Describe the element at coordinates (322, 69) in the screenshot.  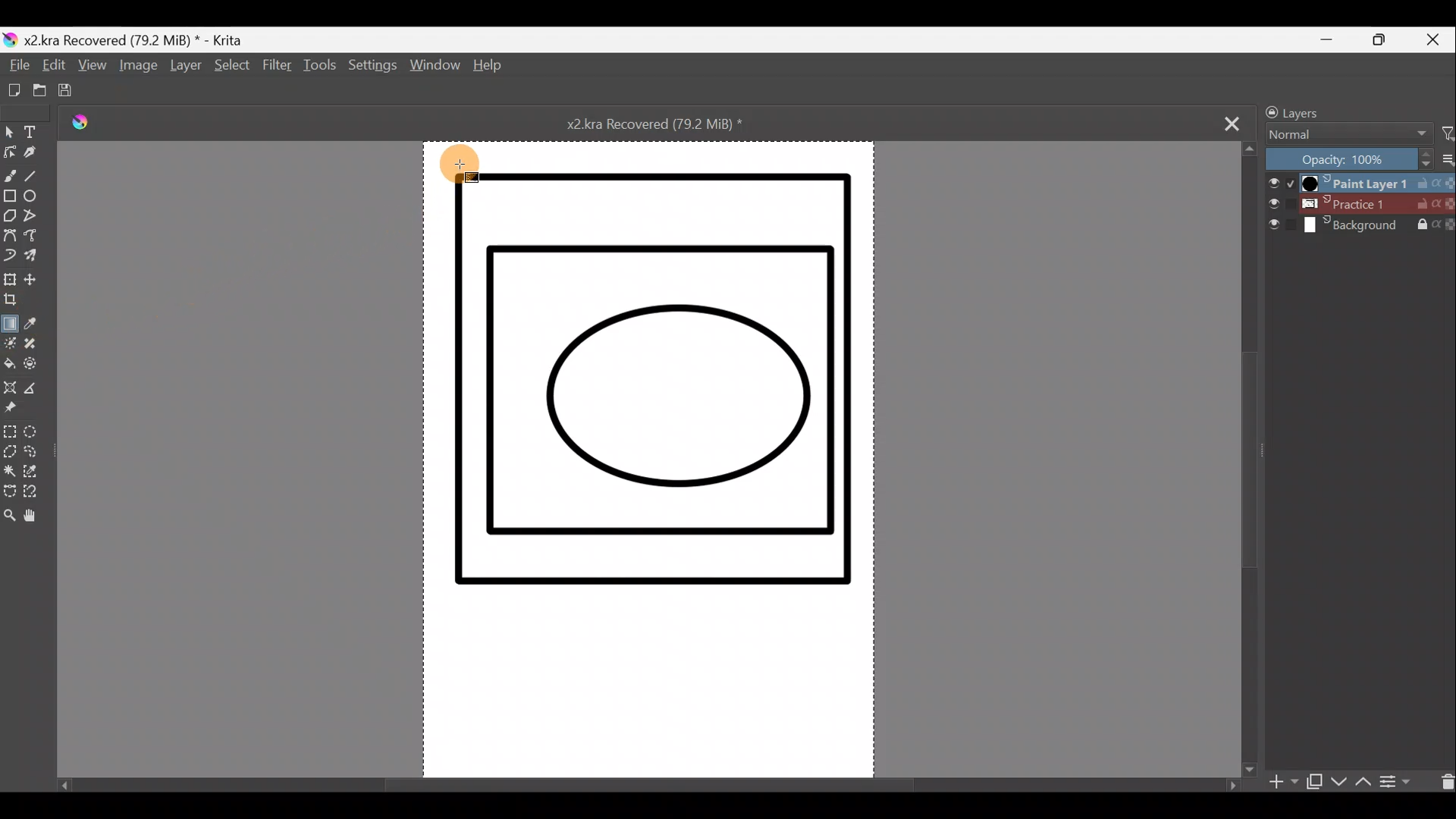
I see `Tools` at that location.